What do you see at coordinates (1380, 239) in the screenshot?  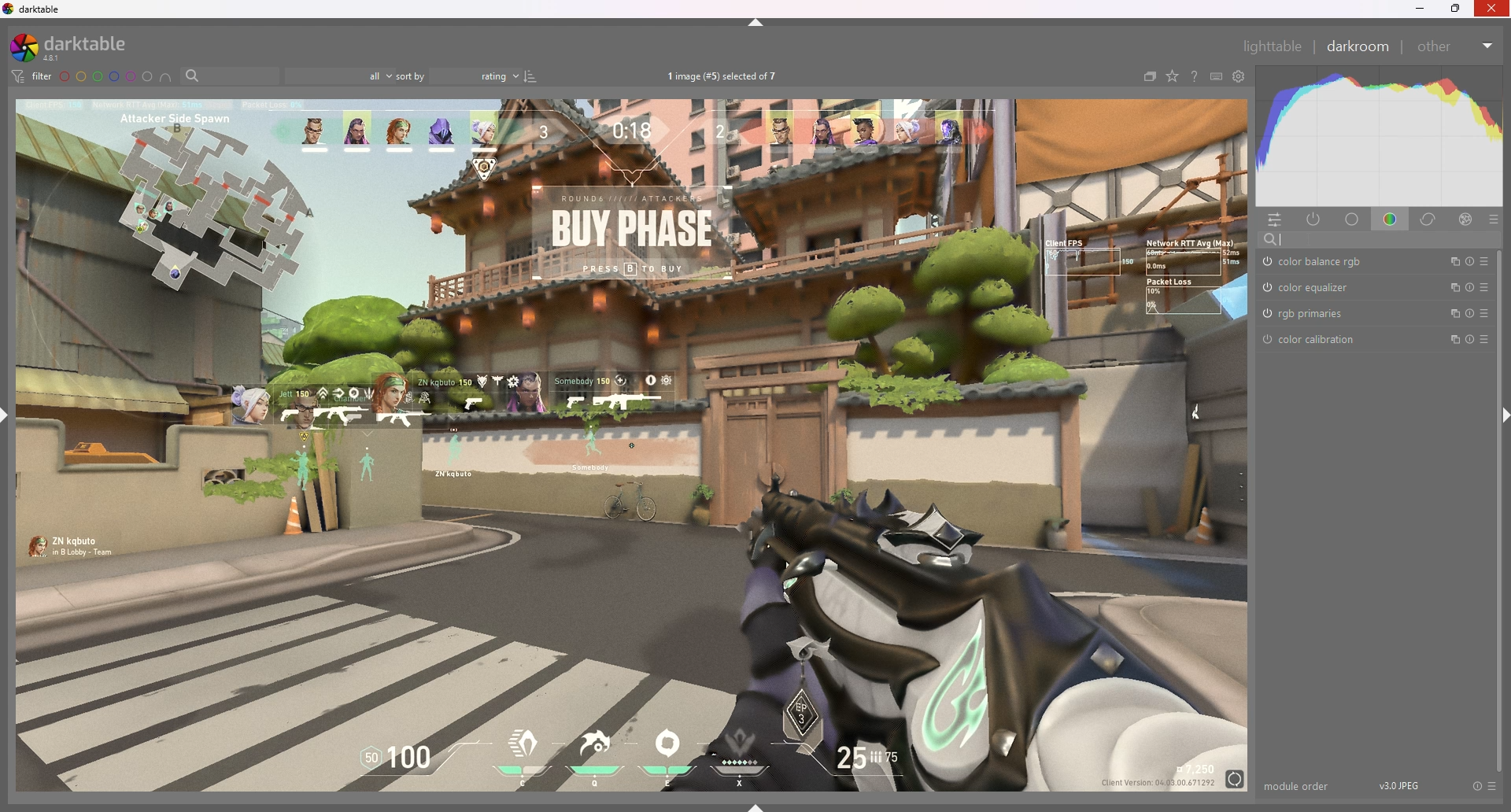 I see `search input` at bounding box center [1380, 239].